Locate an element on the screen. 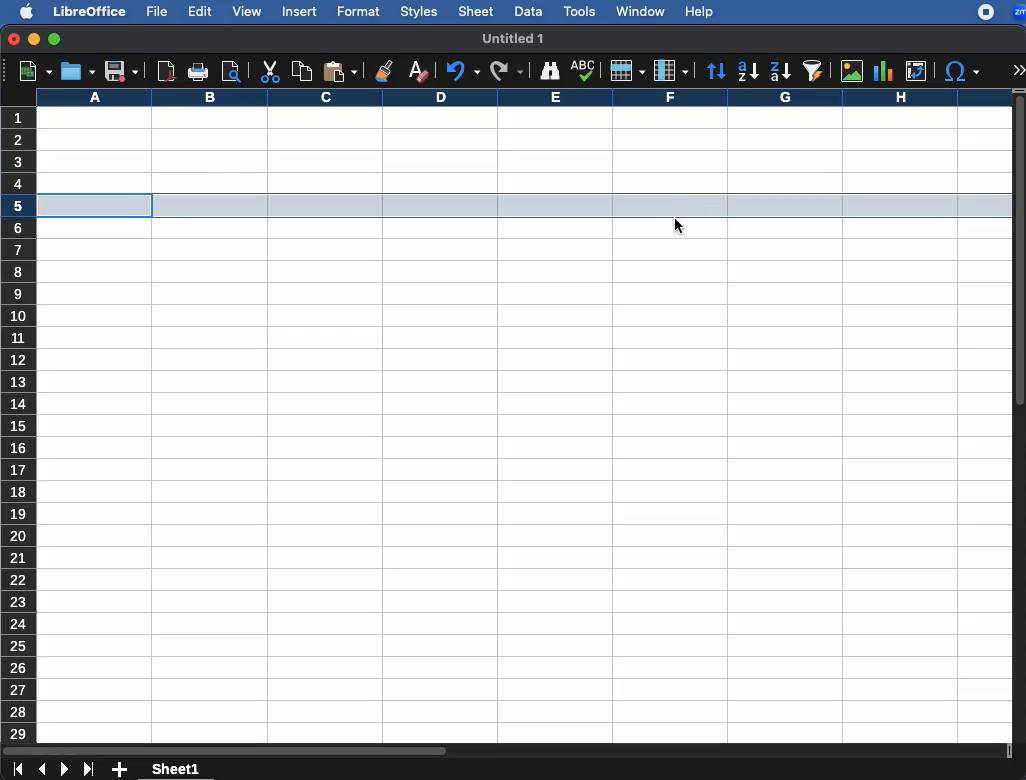 This screenshot has width=1026, height=780. copy is located at coordinates (299, 72).